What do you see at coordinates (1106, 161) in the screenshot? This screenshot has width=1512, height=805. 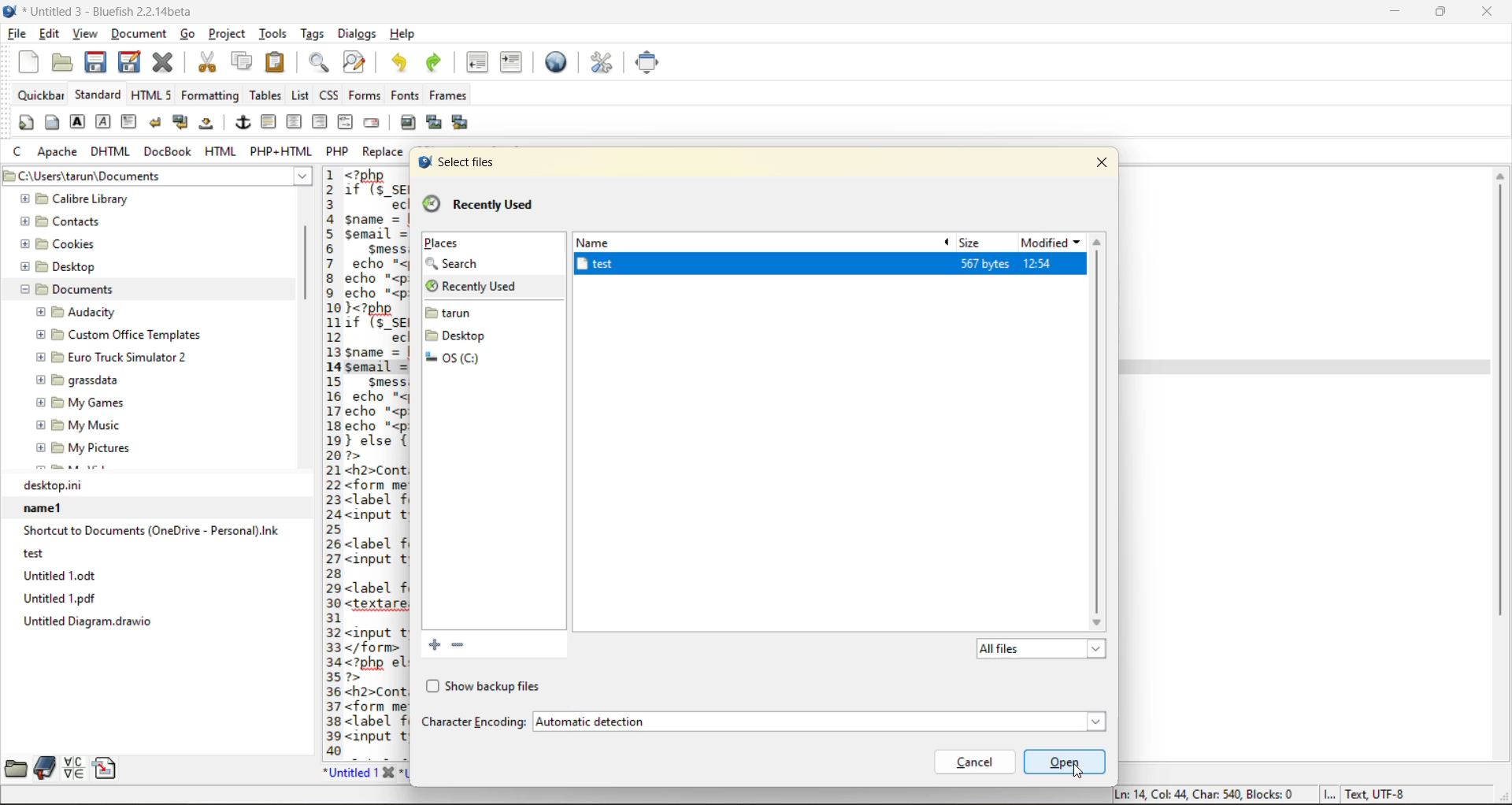 I see `close` at bounding box center [1106, 161].